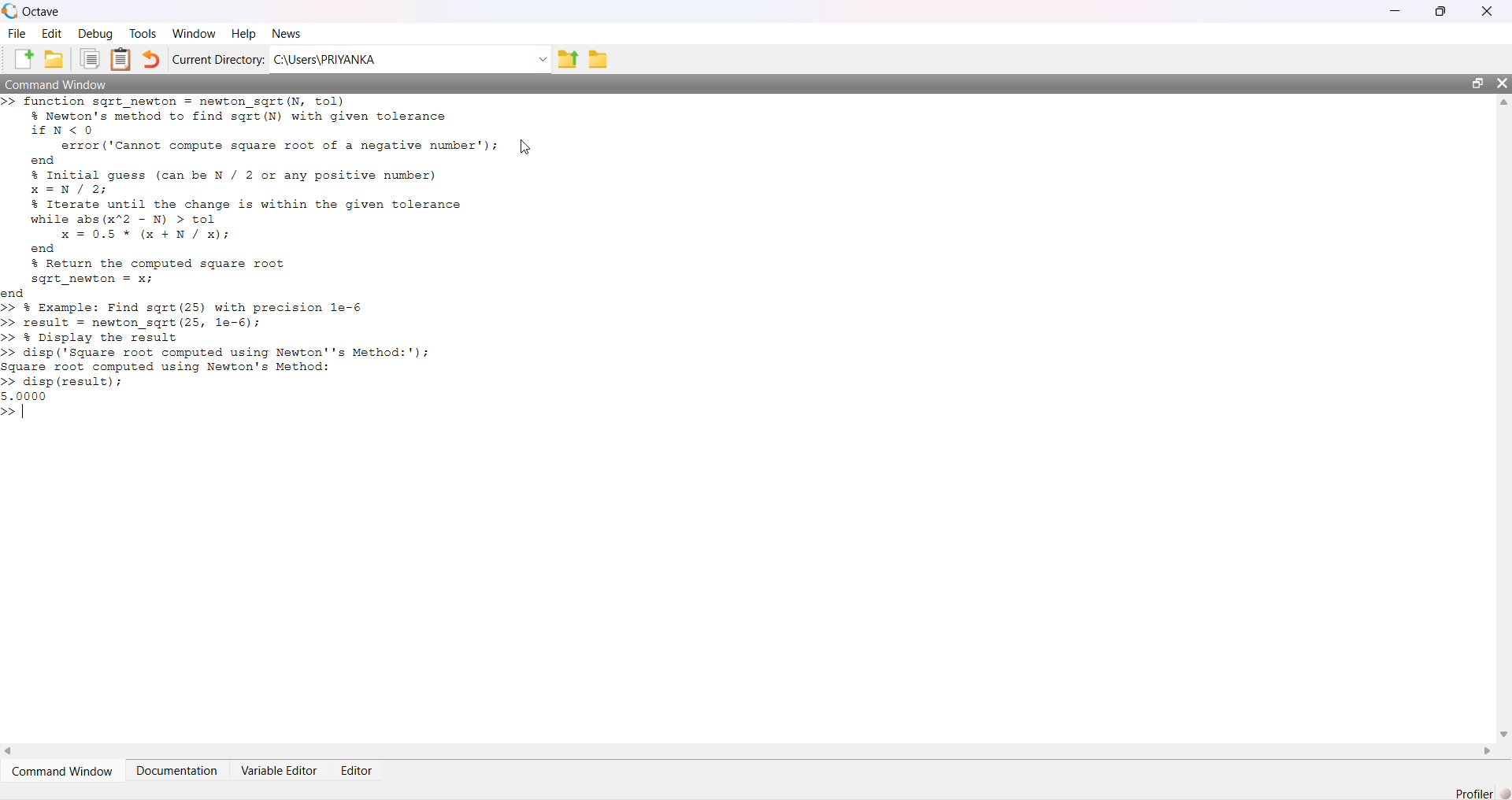  Describe the element at coordinates (526, 146) in the screenshot. I see `Cursor` at that location.